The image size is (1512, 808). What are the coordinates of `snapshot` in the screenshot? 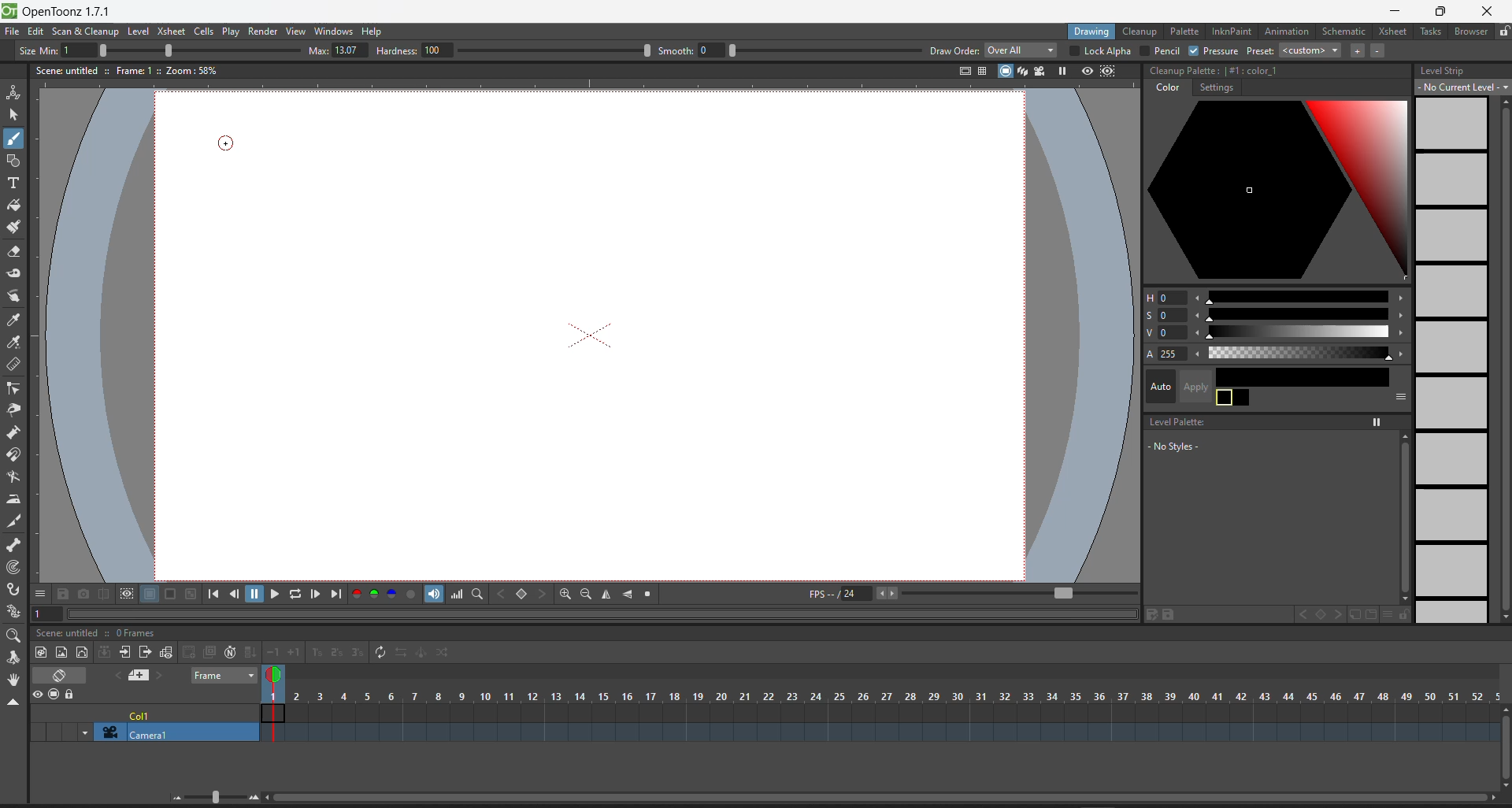 It's located at (83, 593).